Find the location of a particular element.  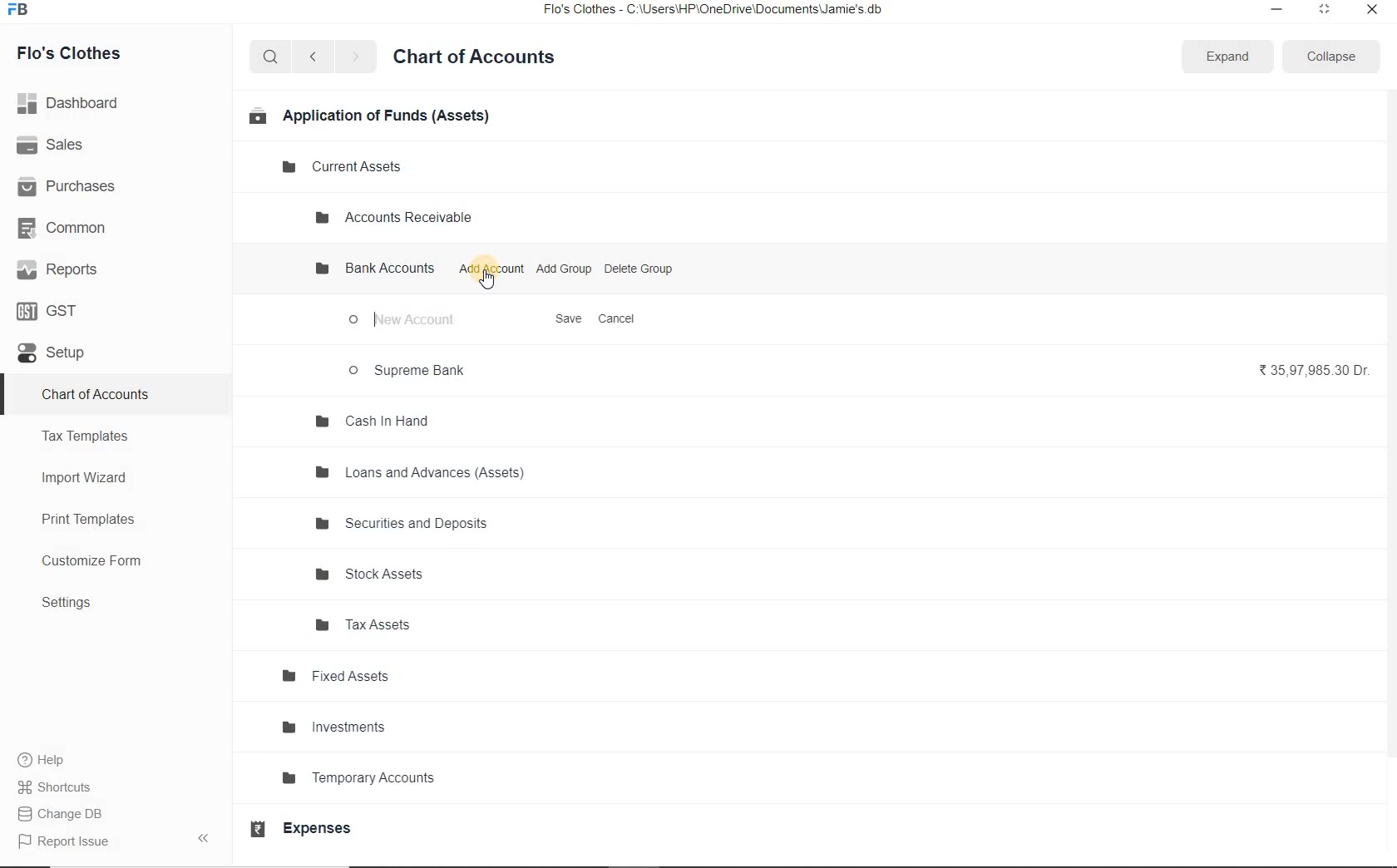

Setup is located at coordinates (73, 360).